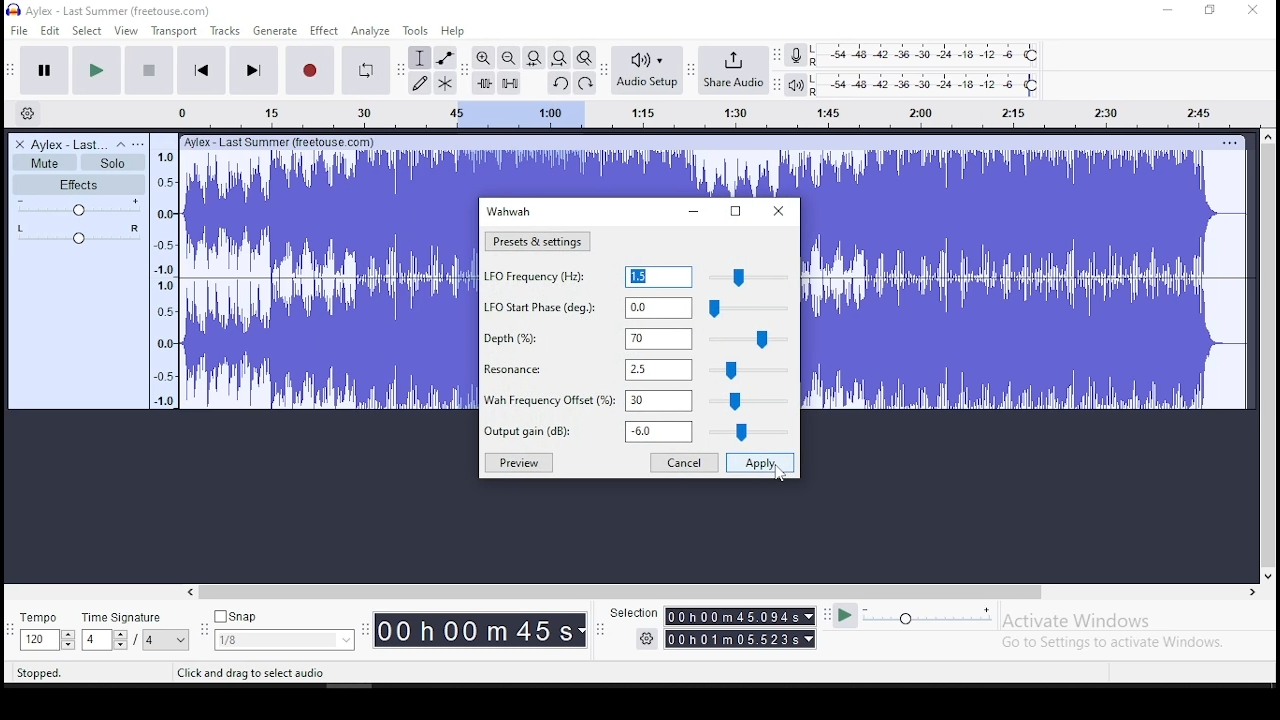  Describe the element at coordinates (445, 58) in the screenshot. I see `envelope tool` at that location.